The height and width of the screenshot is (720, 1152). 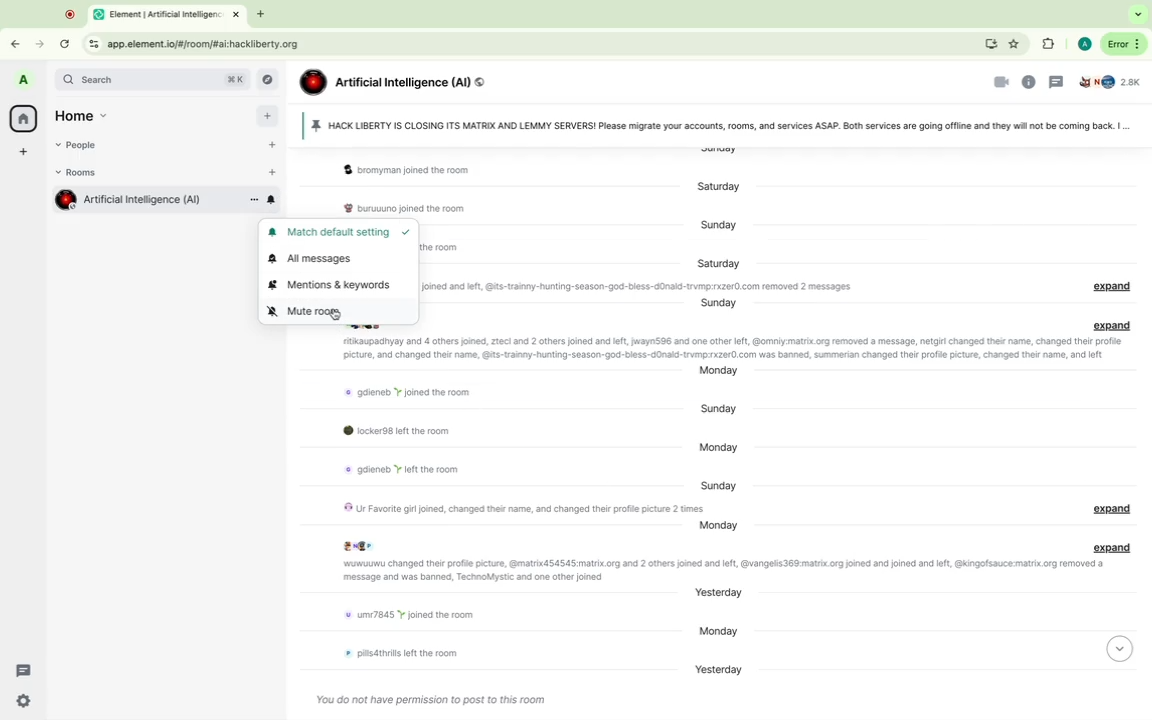 What do you see at coordinates (714, 409) in the screenshot?
I see `Day` at bounding box center [714, 409].